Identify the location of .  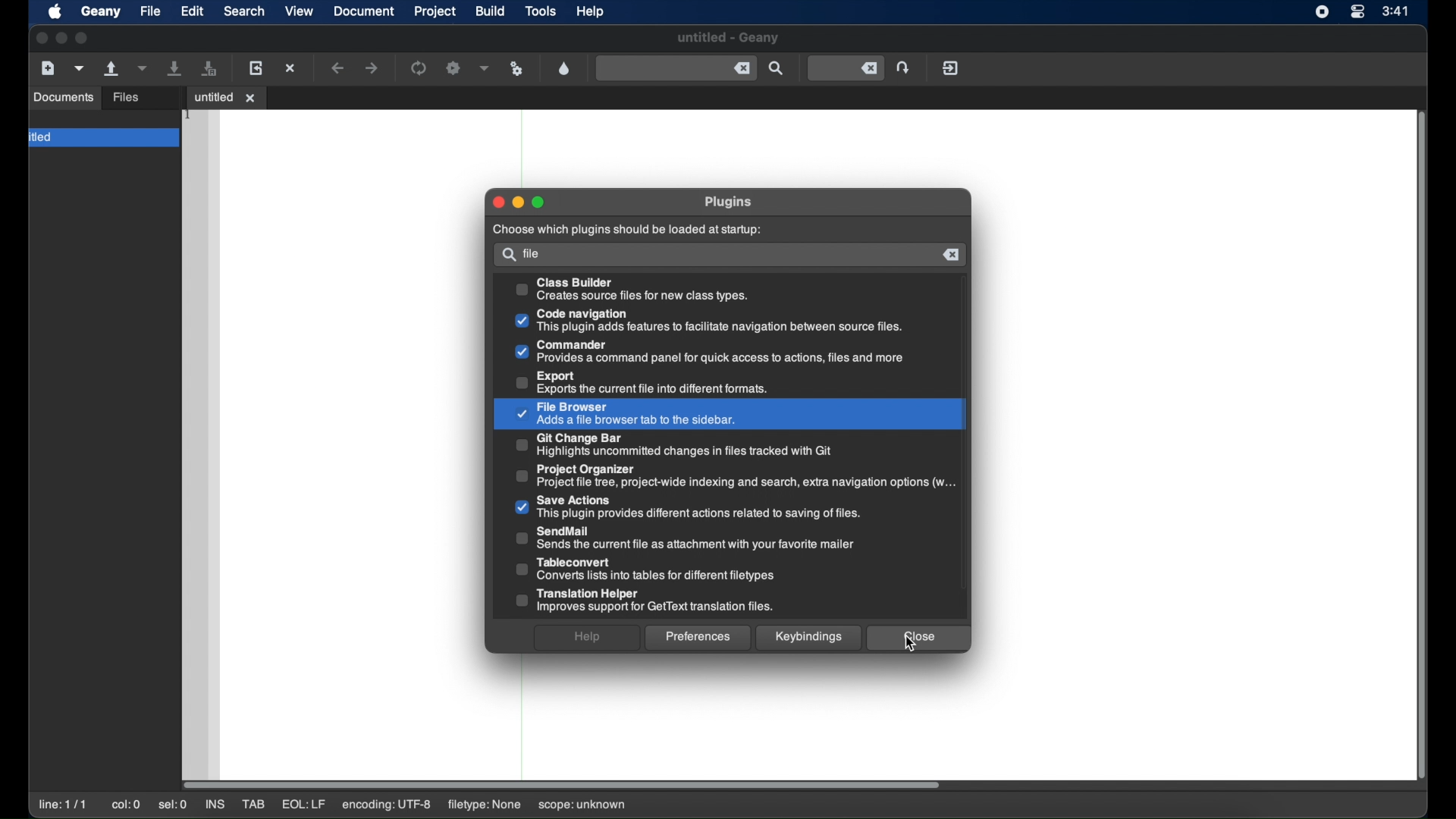
(708, 321).